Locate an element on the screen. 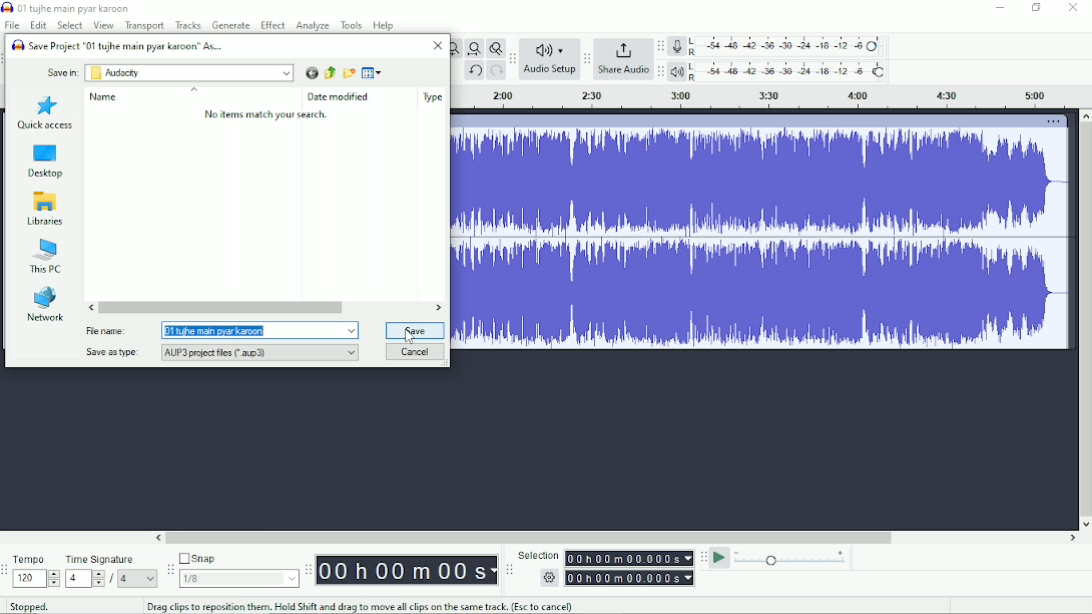 This screenshot has width=1092, height=614. Zoom toggle is located at coordinates (495, 48).